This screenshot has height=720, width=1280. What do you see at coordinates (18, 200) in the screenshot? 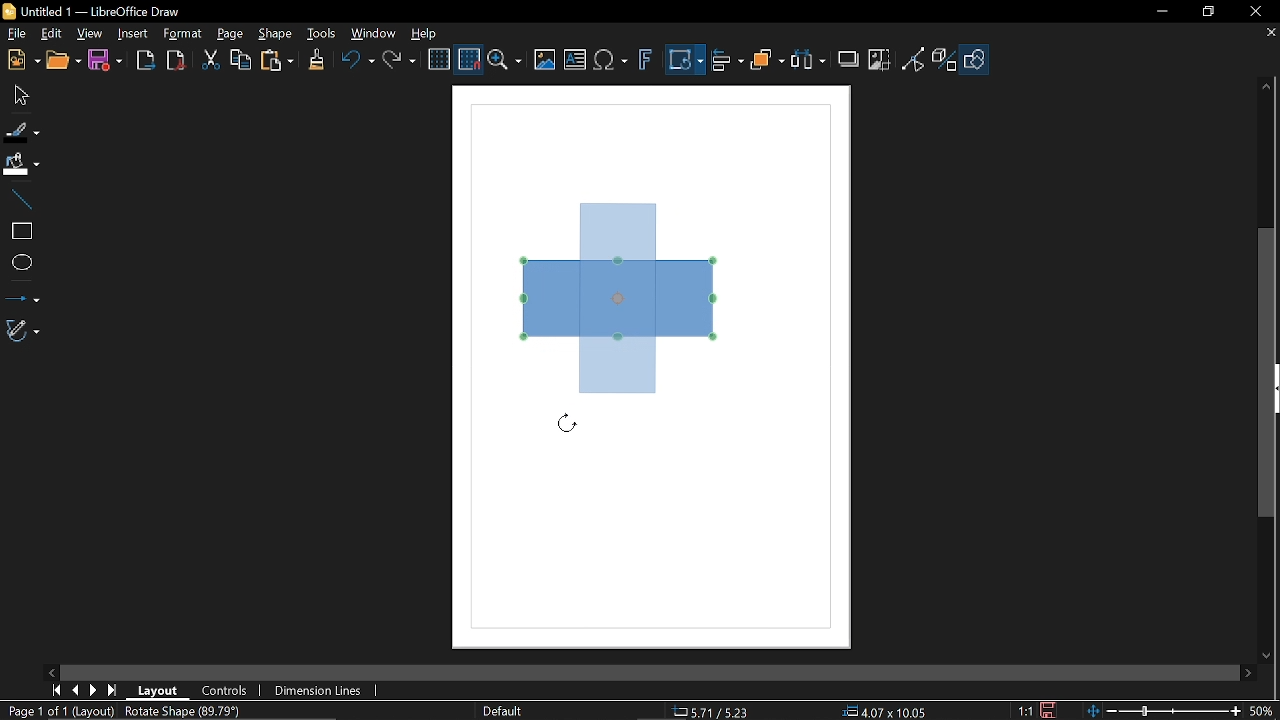
I see `Line` at bounding box center [18, 200].